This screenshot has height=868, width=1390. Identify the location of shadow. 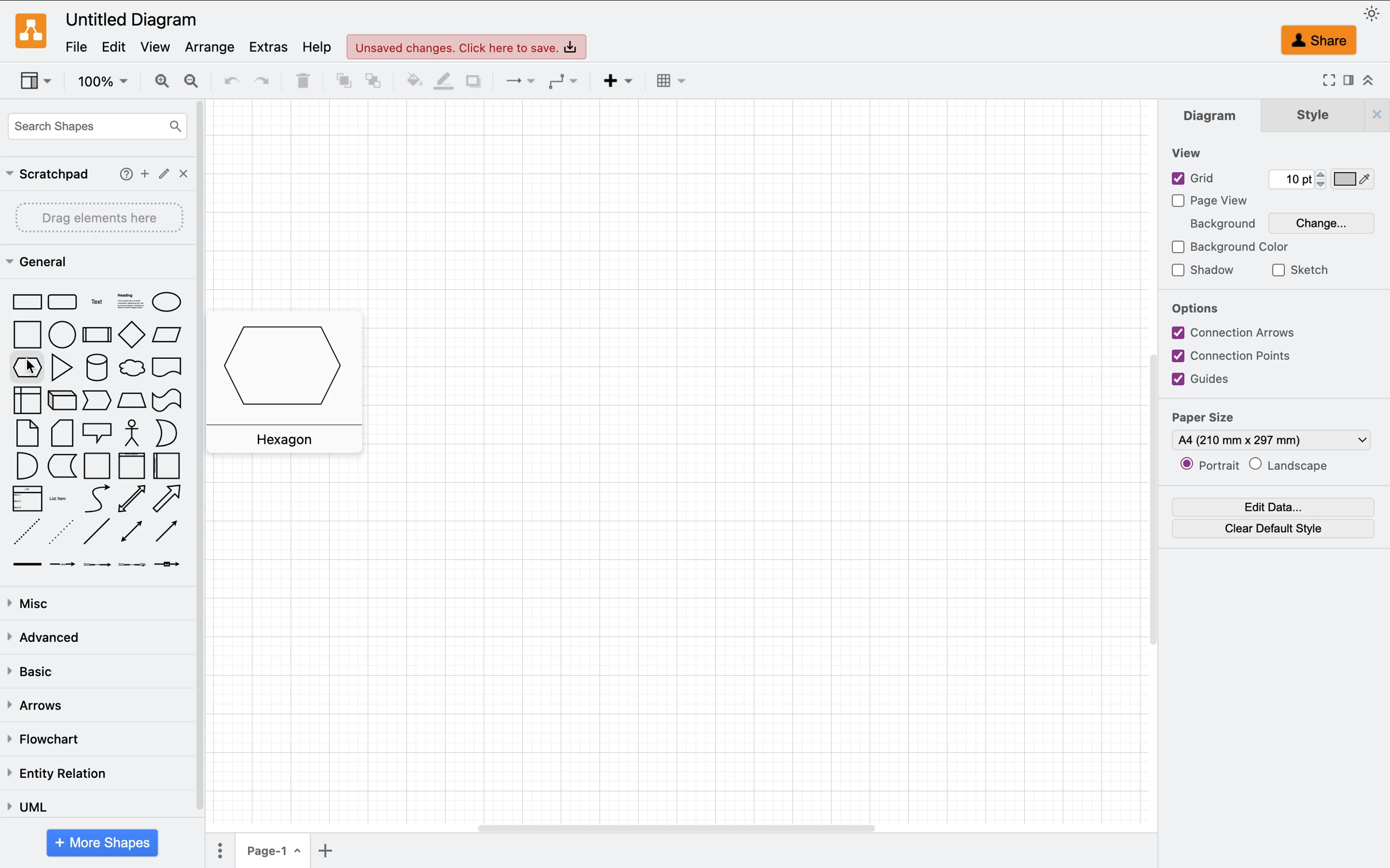
(1204, 270).